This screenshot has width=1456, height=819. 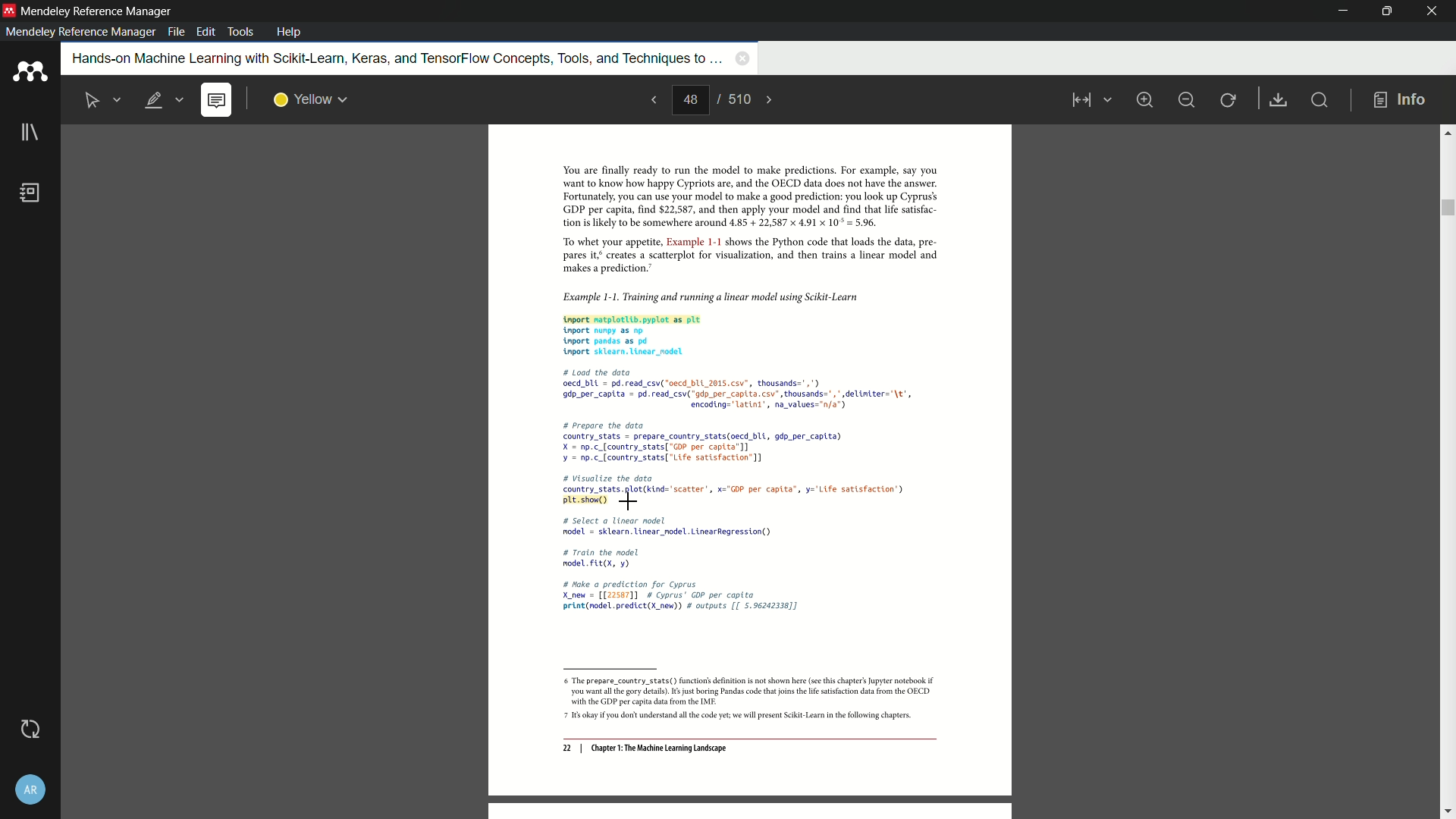 What do you see at coordinates (176, 32) in the screenshot?
I see `file menu` at bounding box center [176, 32].